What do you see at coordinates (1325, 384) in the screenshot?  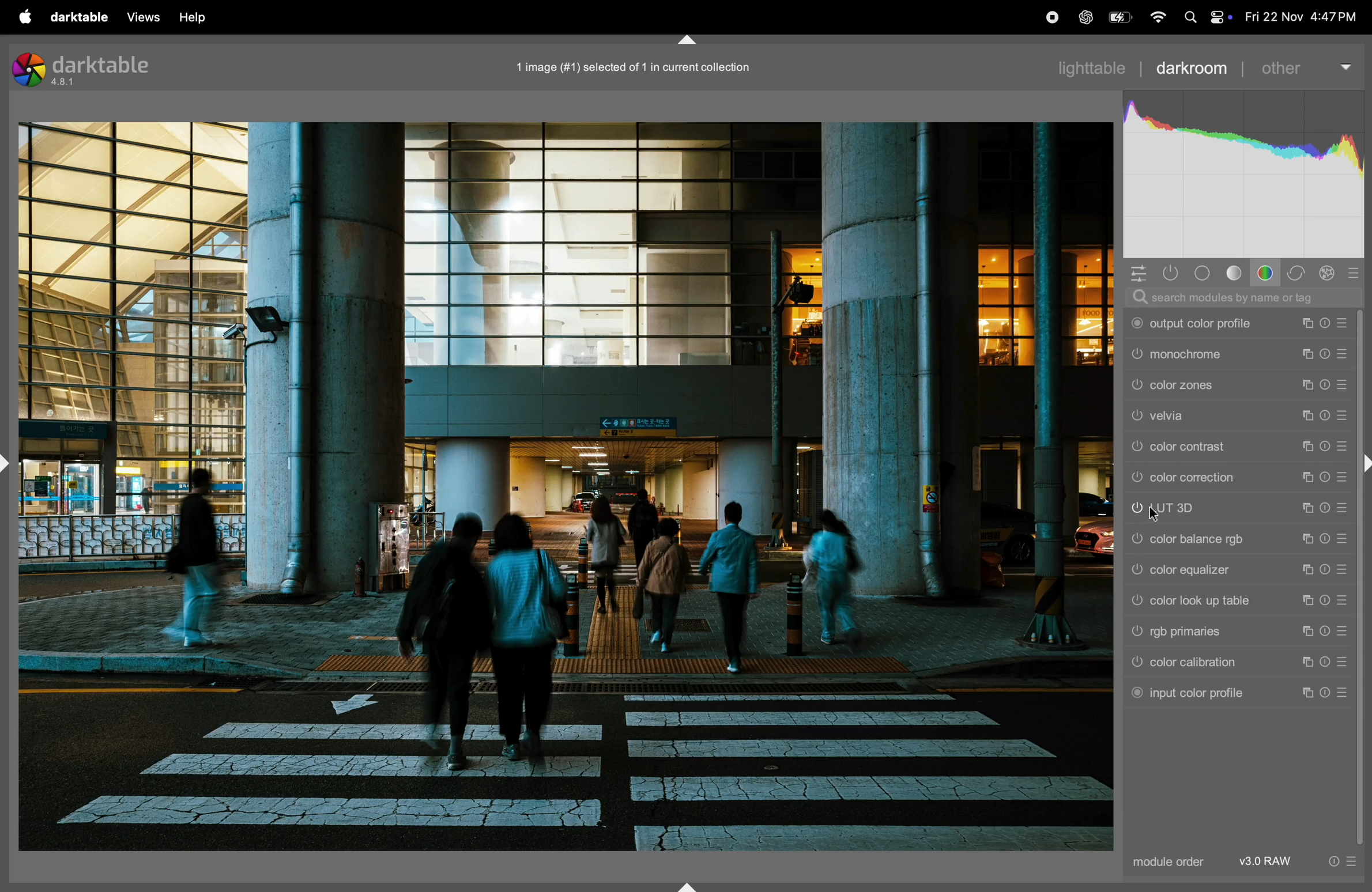 I see `reset` at bounding box center [1325, 384].